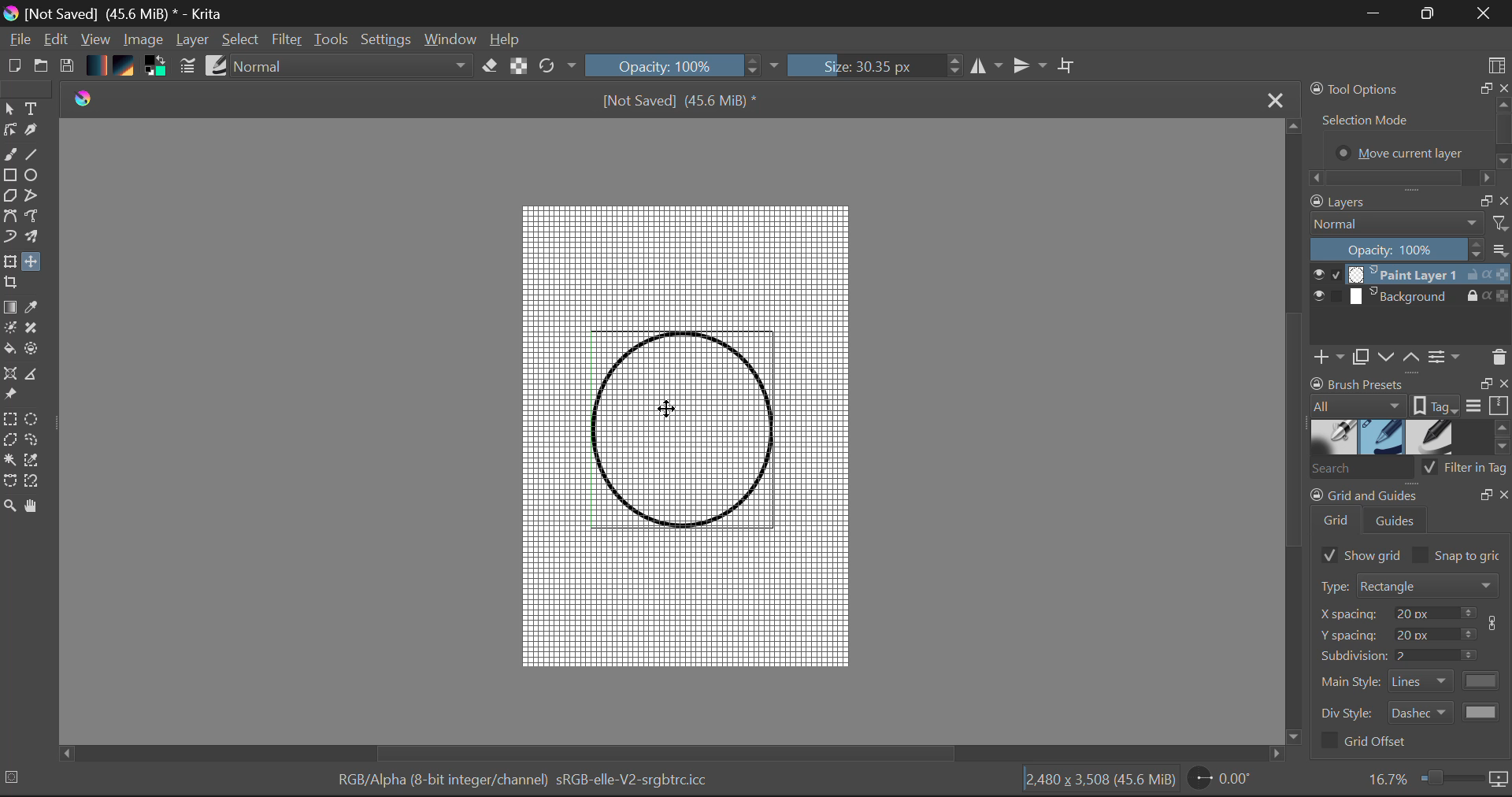 The width and height of the screenshot is (1512, 797). Describe the element at coordinates (9, 480) in the screenshot. I see `Bezier Curve Selection` at that location.